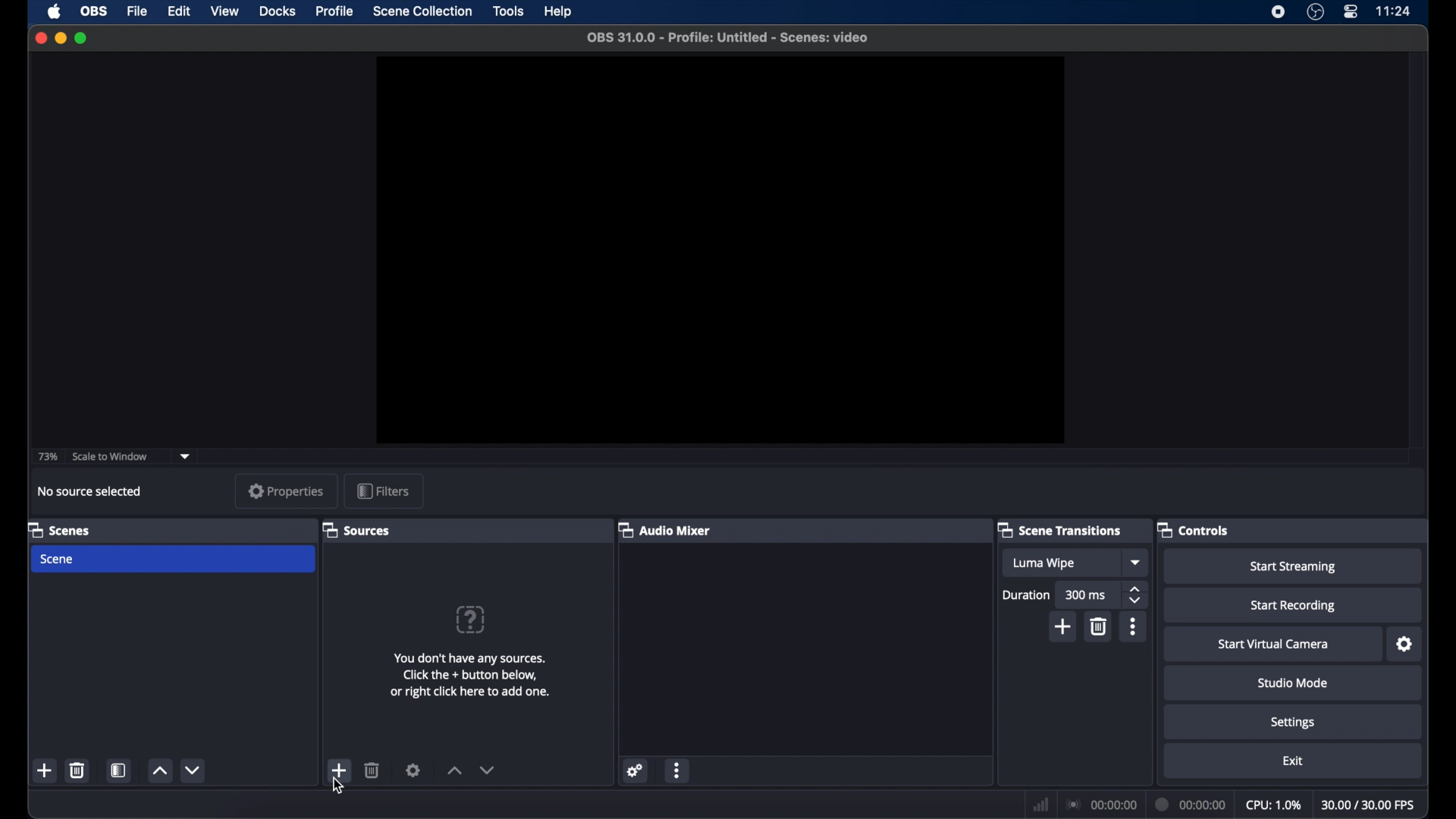 This screenshot has width=1456, height=819. I want to click on cpu, so click(1272, 805).